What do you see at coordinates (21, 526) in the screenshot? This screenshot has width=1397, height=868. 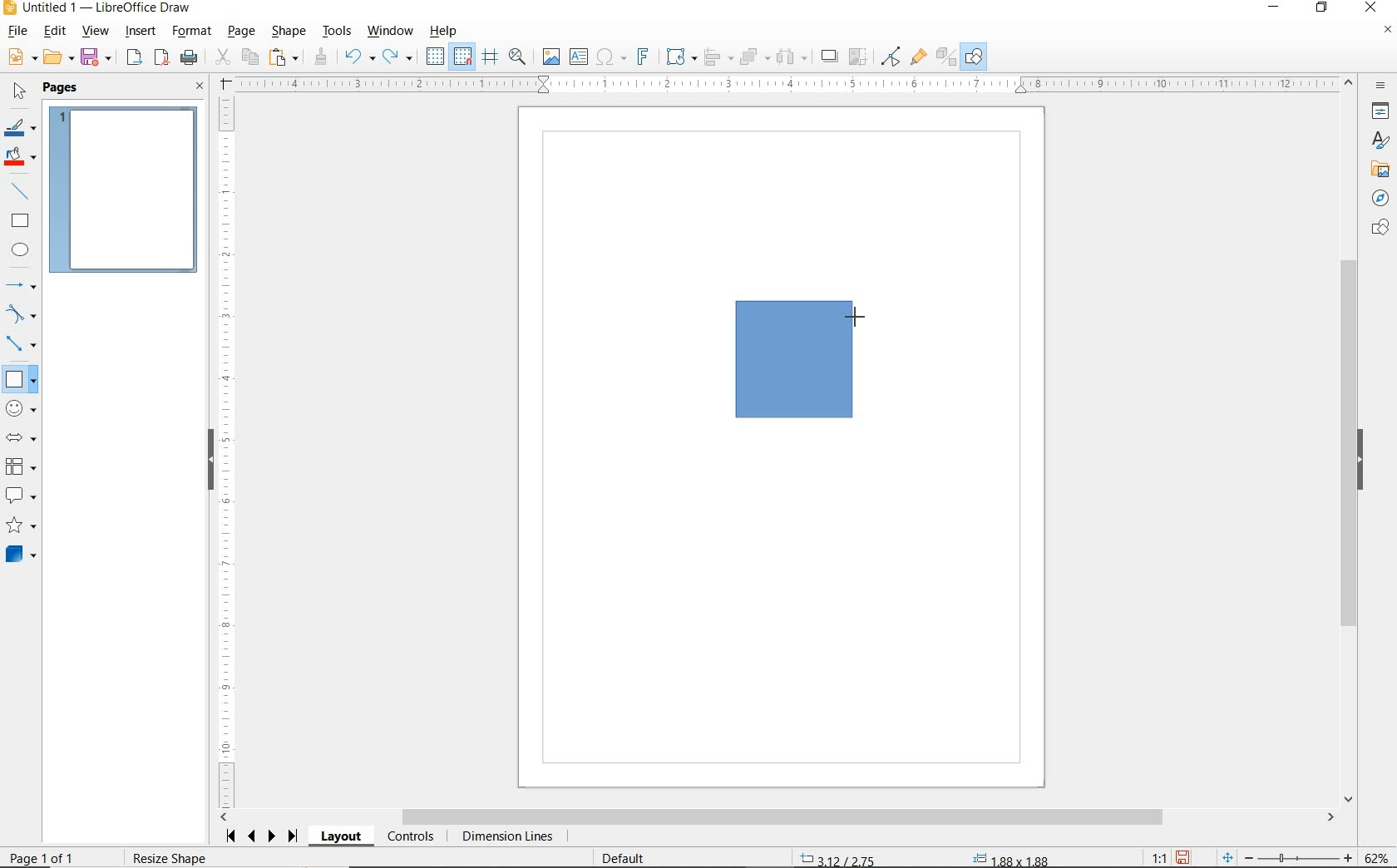 I see `STARS AND BANNERS` at bounding box center [21, 526].